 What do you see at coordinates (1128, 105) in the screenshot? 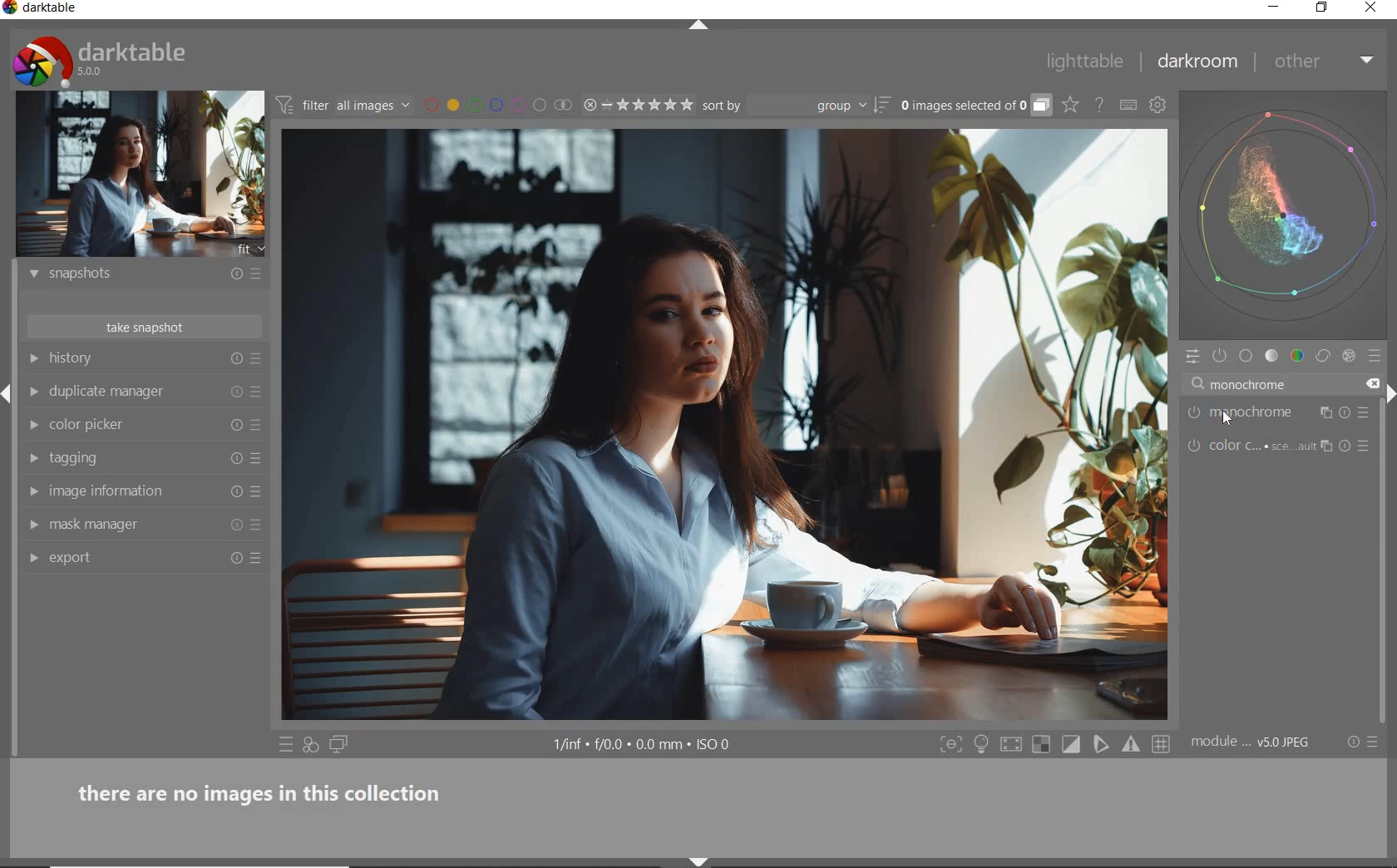
I see `set keyboard shortcuts` at bounding box center [1128, 105].